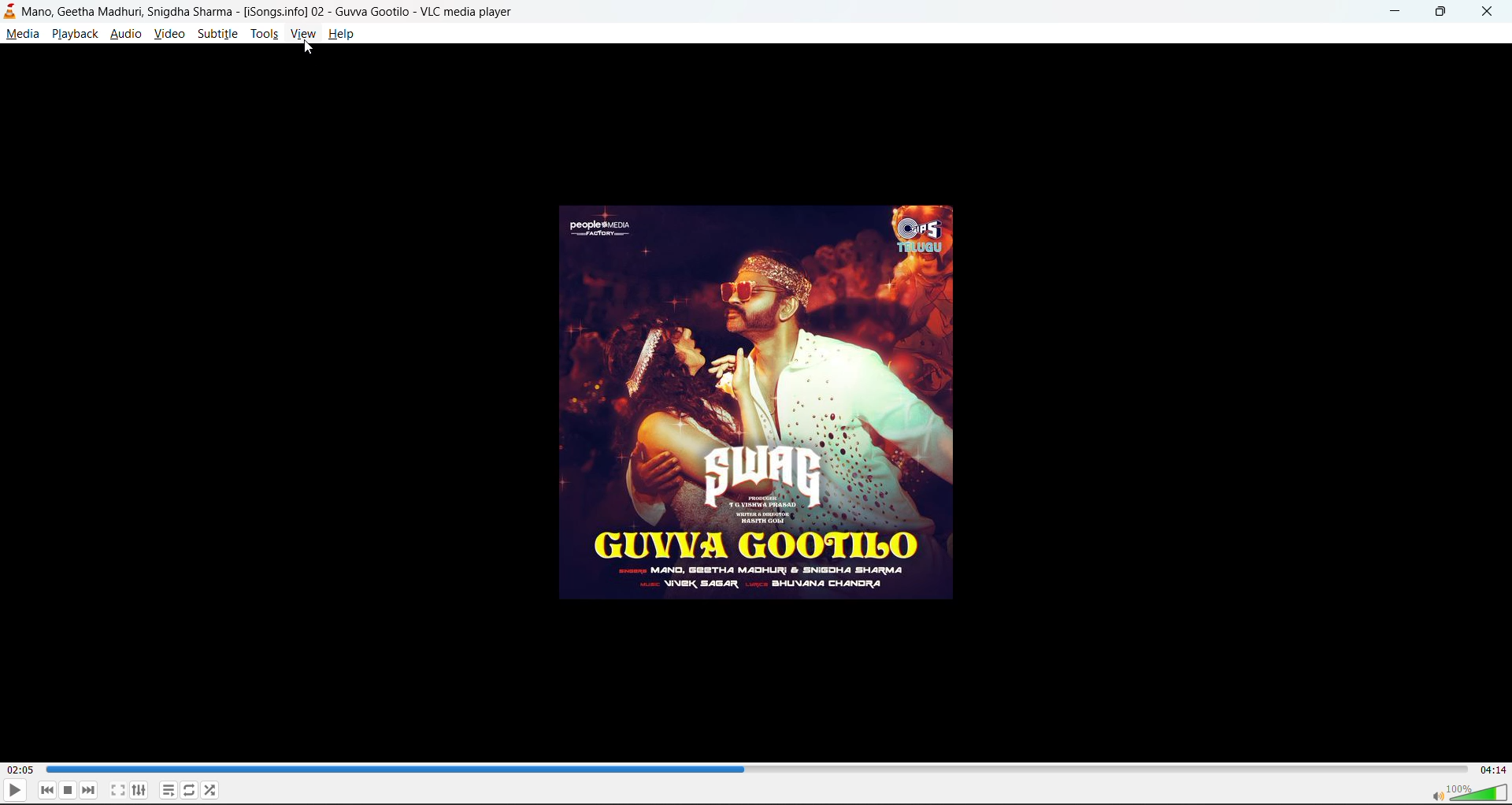 Image resolution: width=1512 pixels, height=805 pixels. What do you see at coordinates (168, 791) in the screenshot?
I see `toggle playlist` at bounding box center [168, 791].